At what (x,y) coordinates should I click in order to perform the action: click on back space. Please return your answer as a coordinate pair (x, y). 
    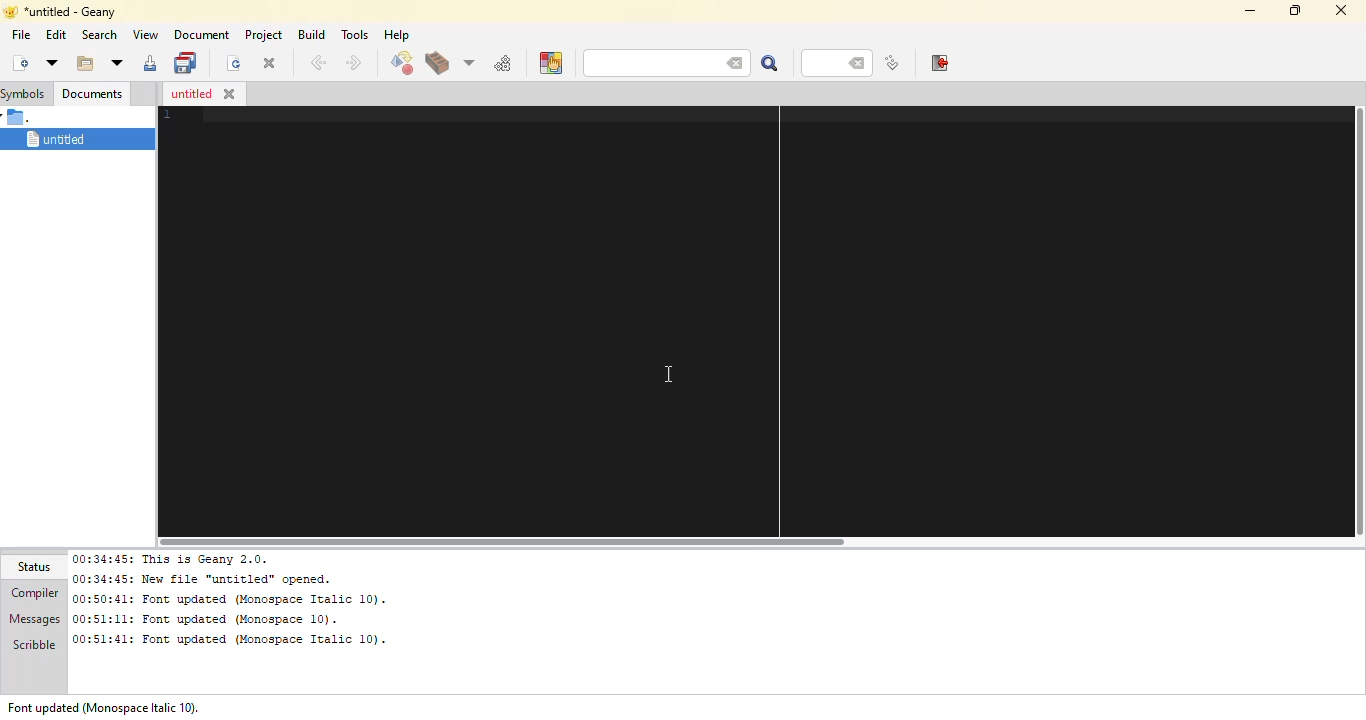
    Looking at the image, I should click on (859, 64).